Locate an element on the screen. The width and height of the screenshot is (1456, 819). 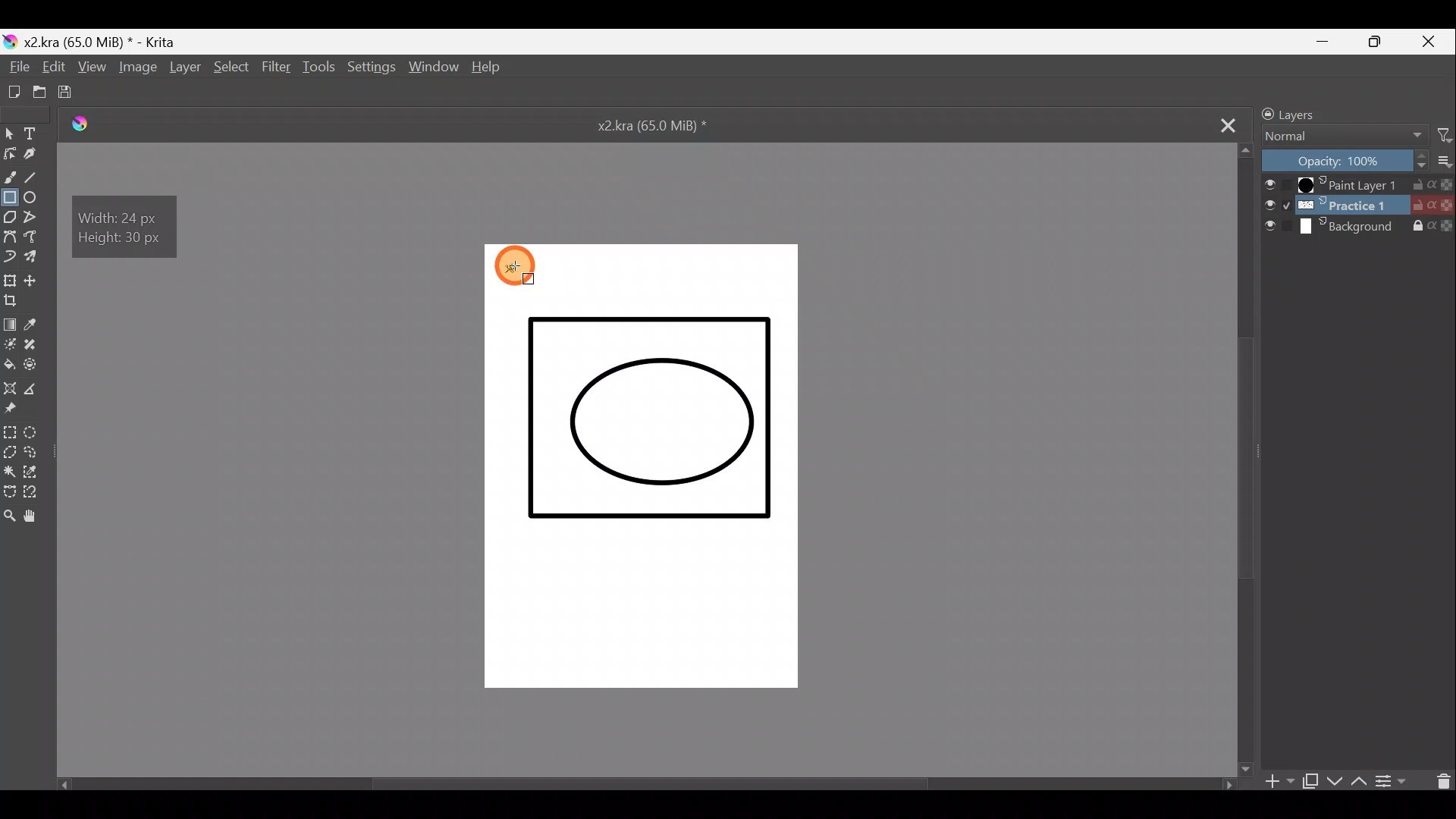
Elliptical selection tool is located at coordinates (39, 434).